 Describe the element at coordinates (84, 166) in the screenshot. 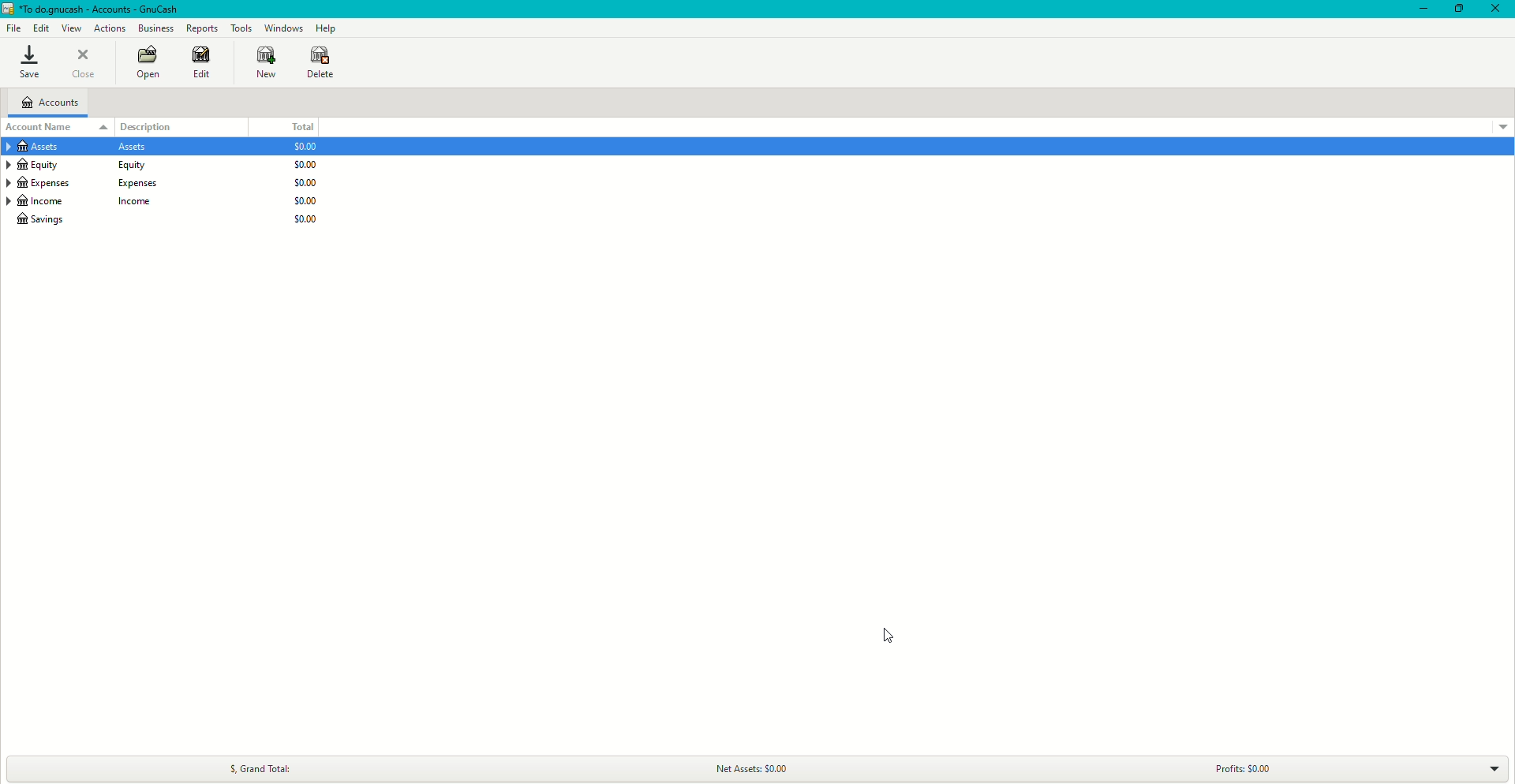

I see `Equity` at that location.